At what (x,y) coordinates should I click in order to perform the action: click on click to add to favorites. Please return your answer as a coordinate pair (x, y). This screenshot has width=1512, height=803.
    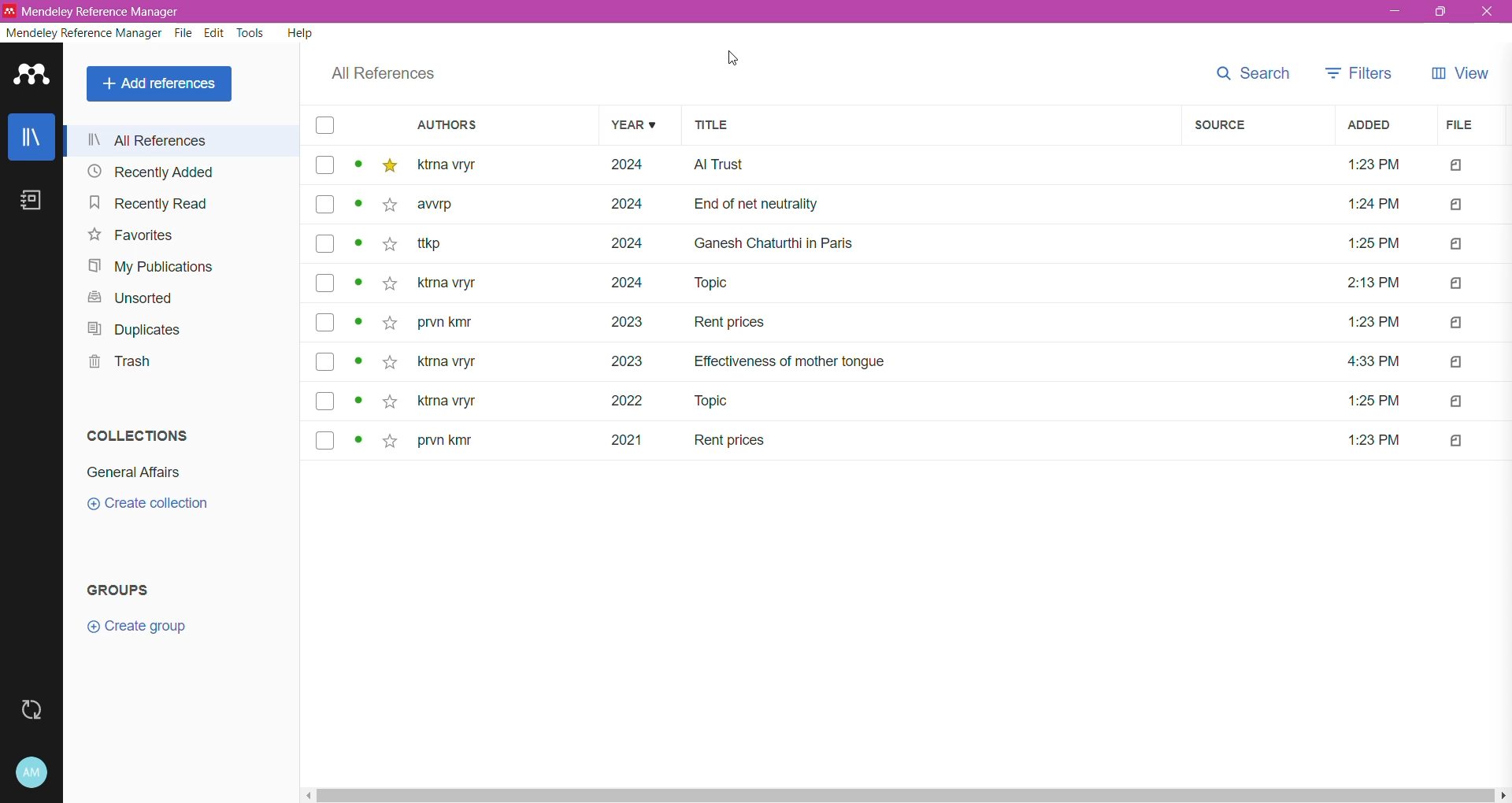
    Looking at the image, I should click on (391, 244).